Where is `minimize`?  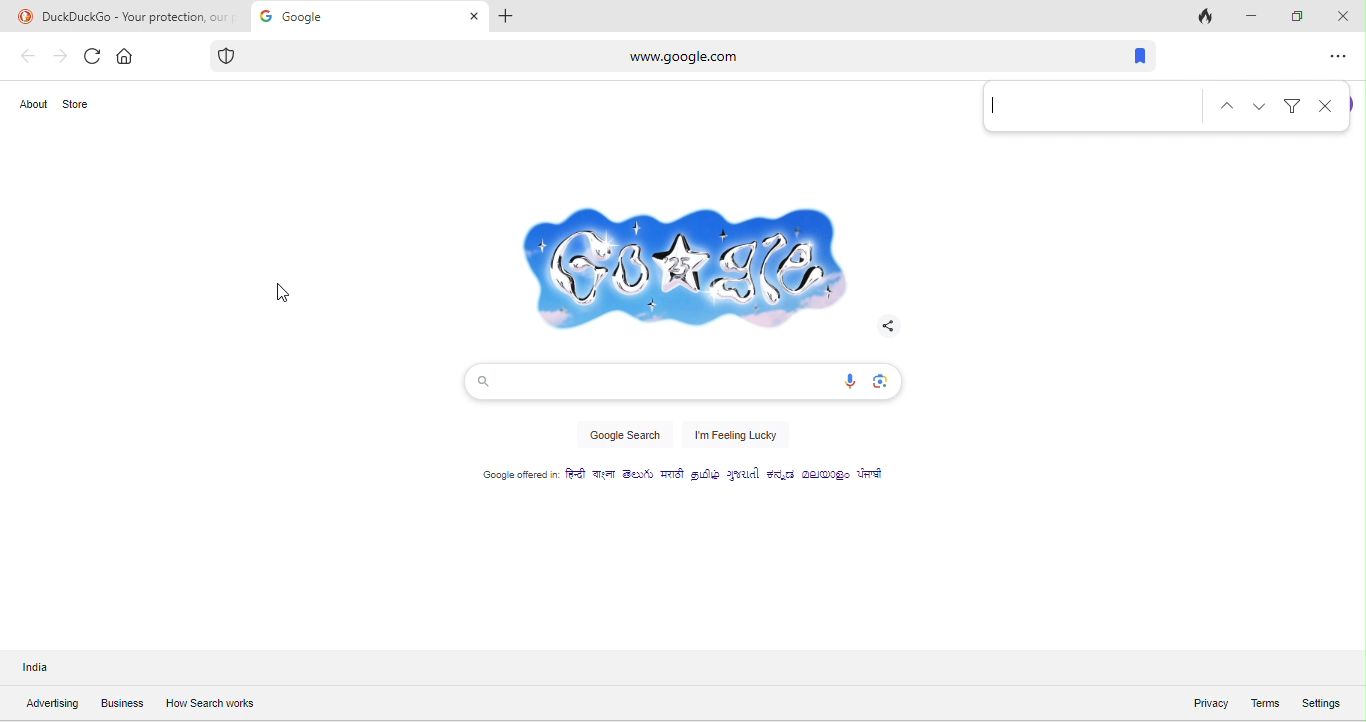 minimize is located at coordinates (1248, 16).